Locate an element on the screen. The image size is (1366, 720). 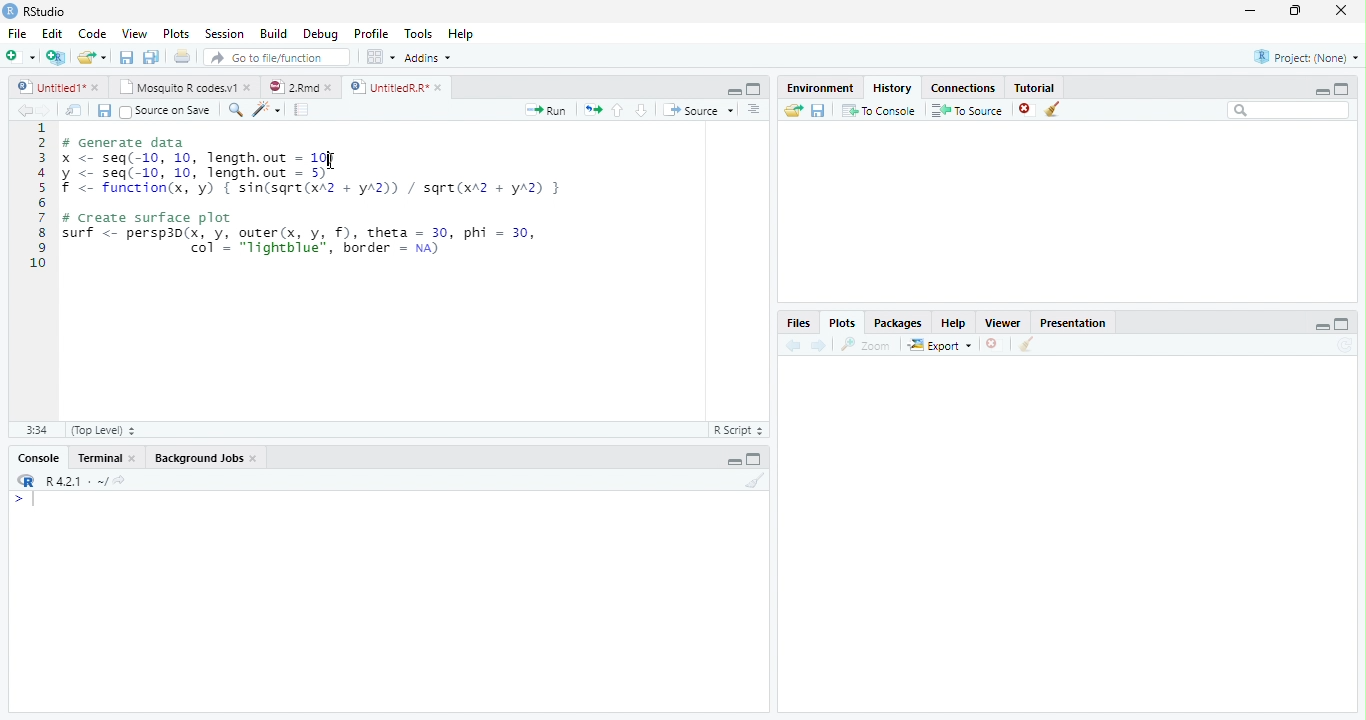
Refresh current plot is located at coordinates (1347, 345).